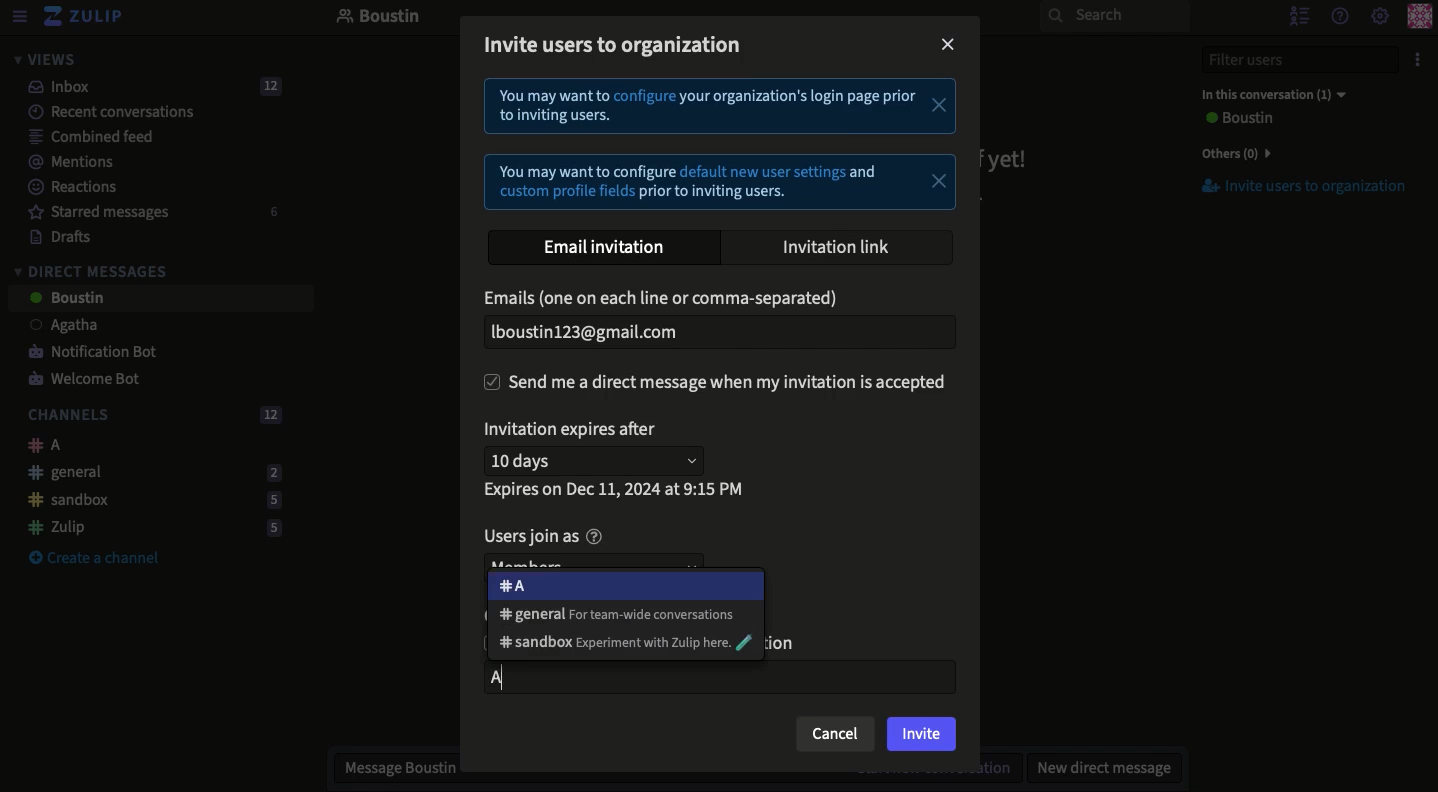 The image size is (1438, 792). I want to click on Hide users list, so click(1297, 15).